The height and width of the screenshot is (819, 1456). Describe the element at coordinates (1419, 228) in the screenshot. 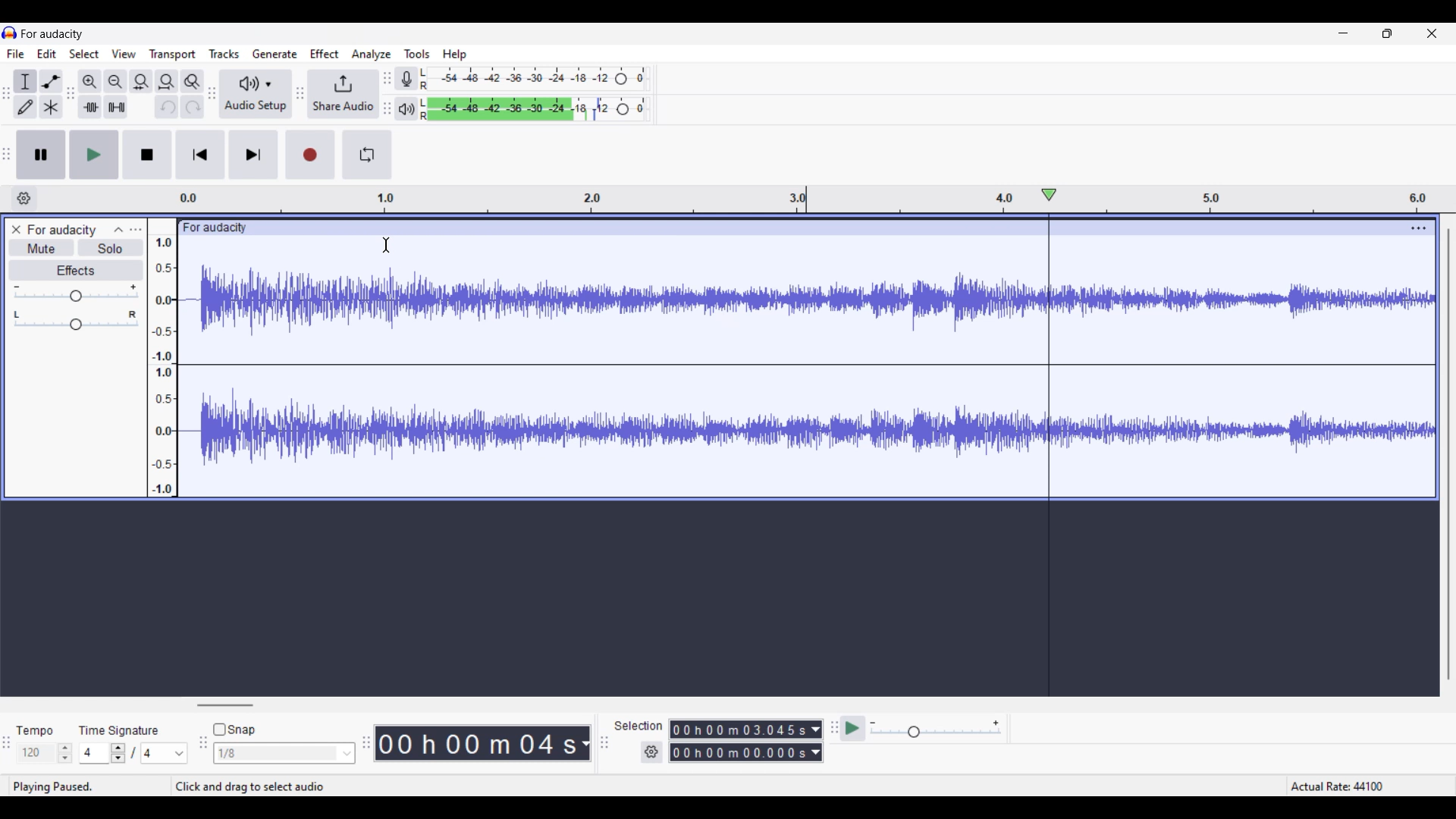

I see `Track settings` at that location.